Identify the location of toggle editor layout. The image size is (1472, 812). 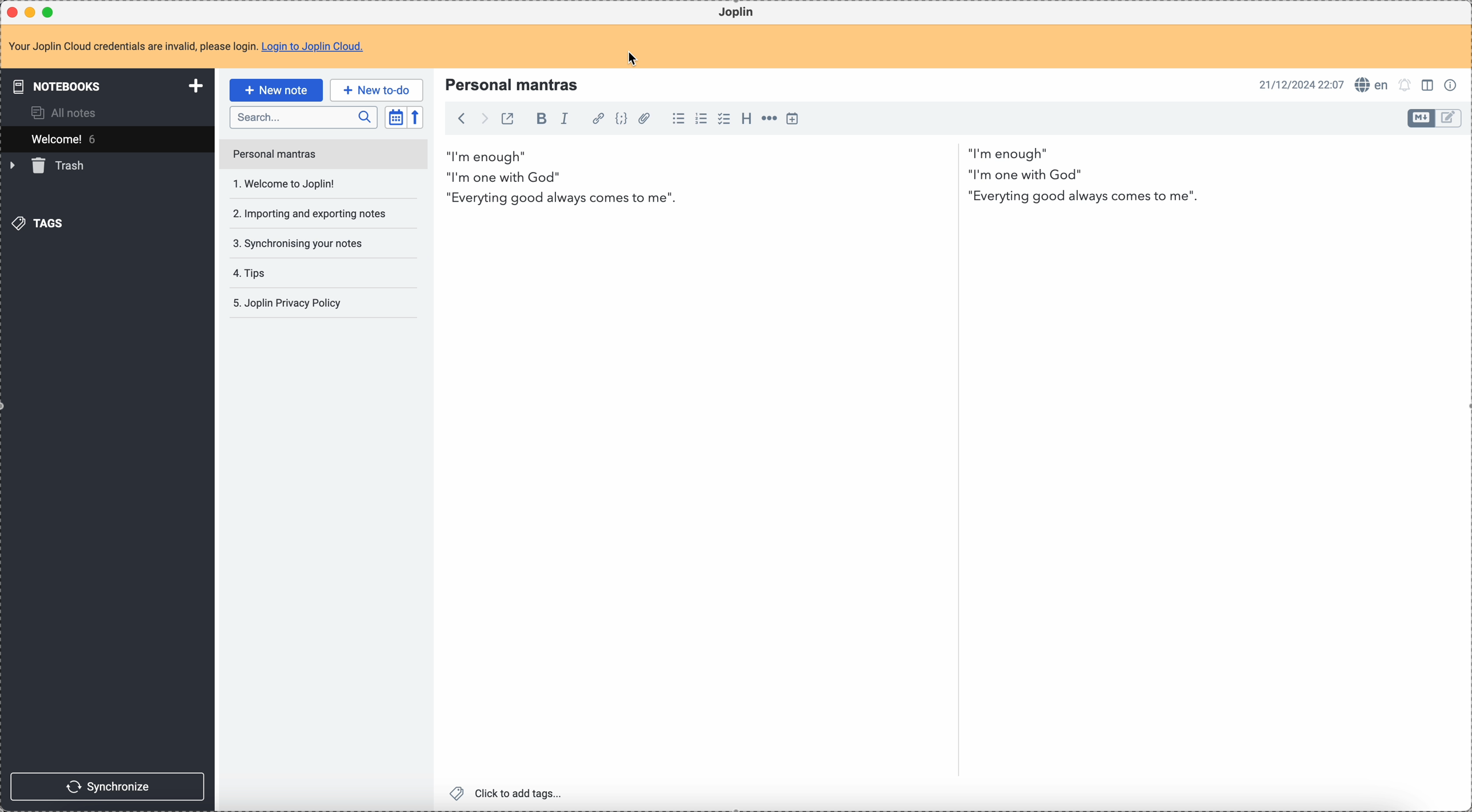
(1422, 119).